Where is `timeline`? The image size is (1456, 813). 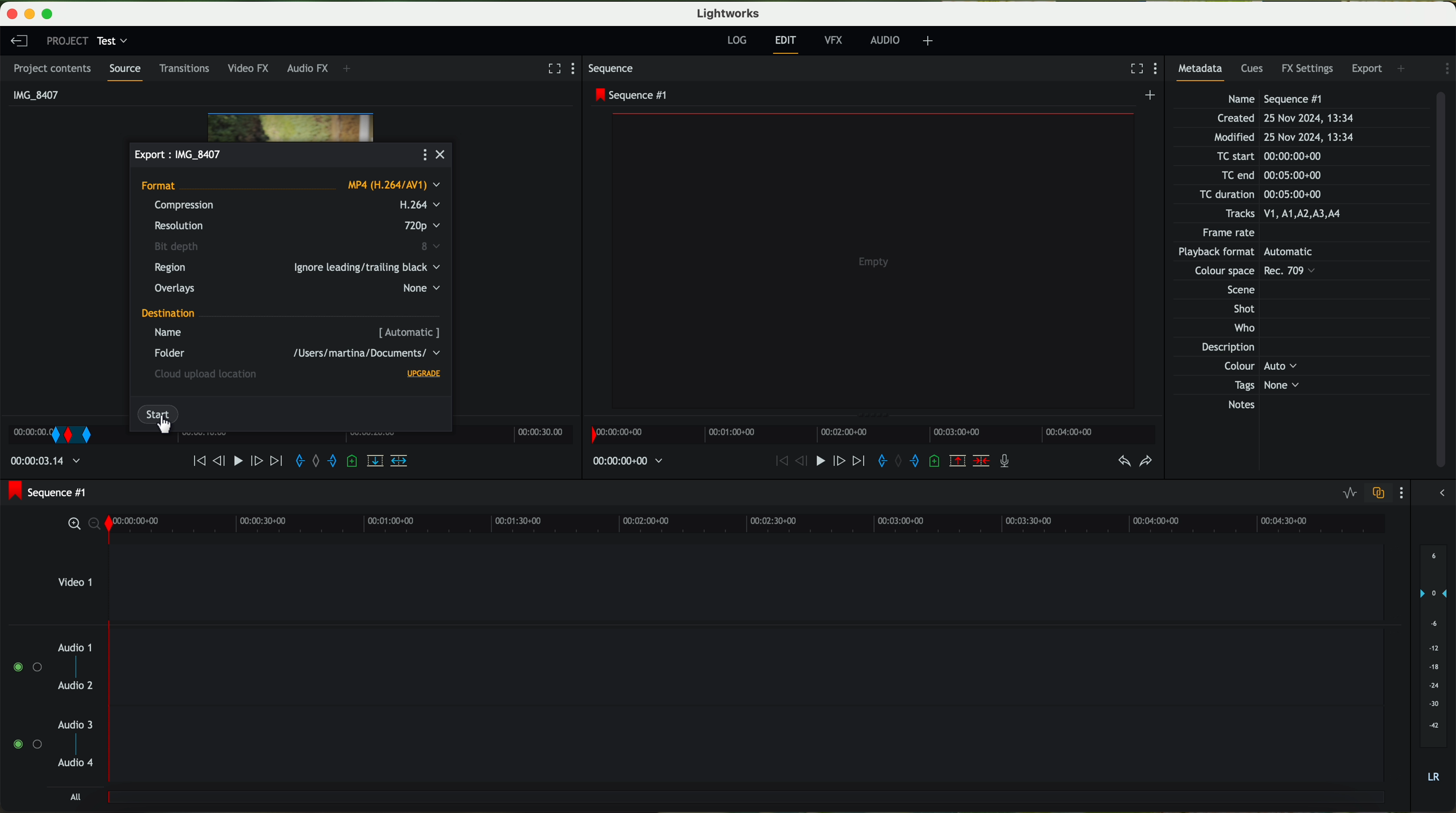
timeline is located at coordinates (747, 526).